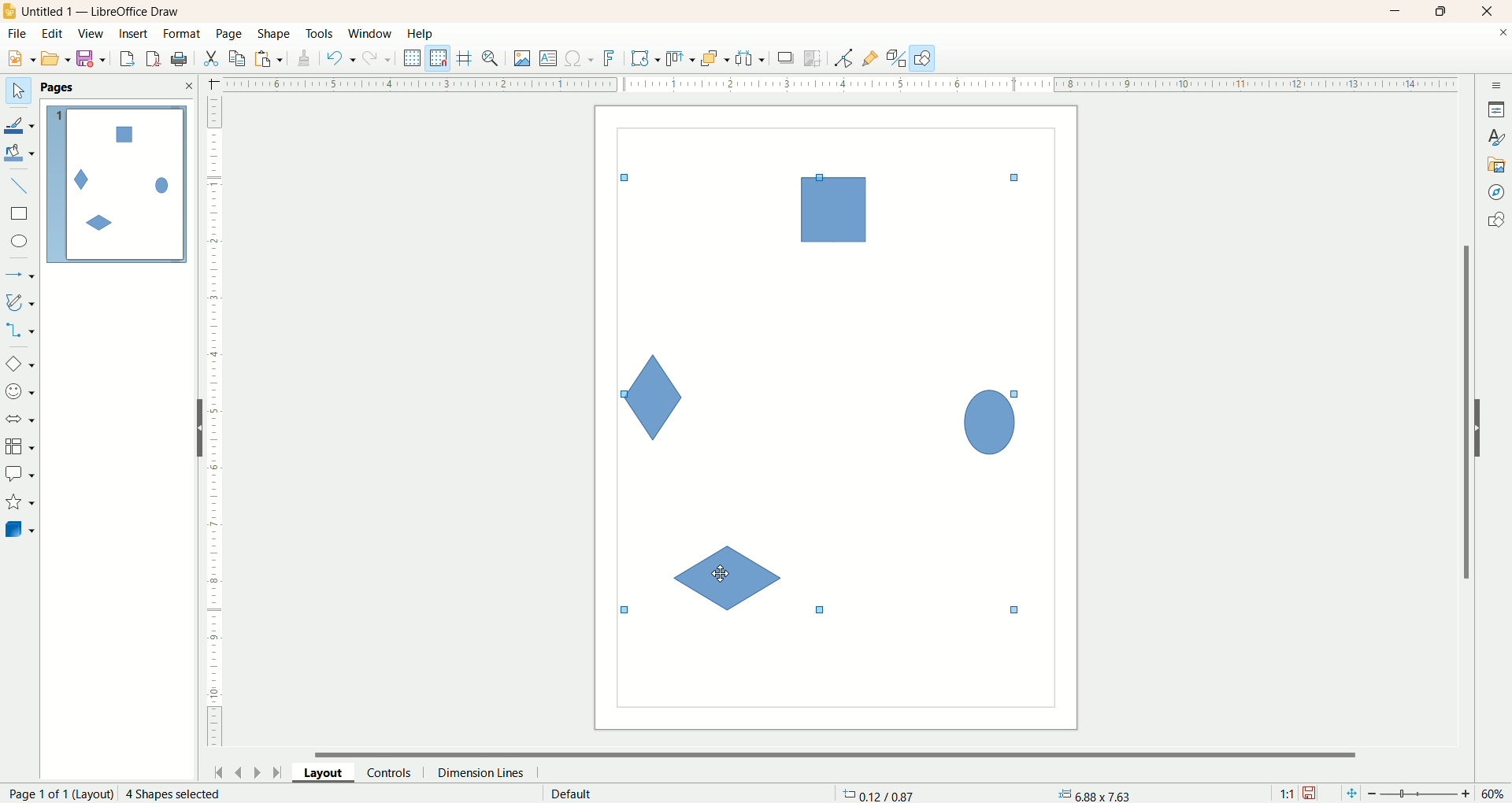  Describe the element at coordinates (238, 58) in the screenshot. I see `copy` at that location.